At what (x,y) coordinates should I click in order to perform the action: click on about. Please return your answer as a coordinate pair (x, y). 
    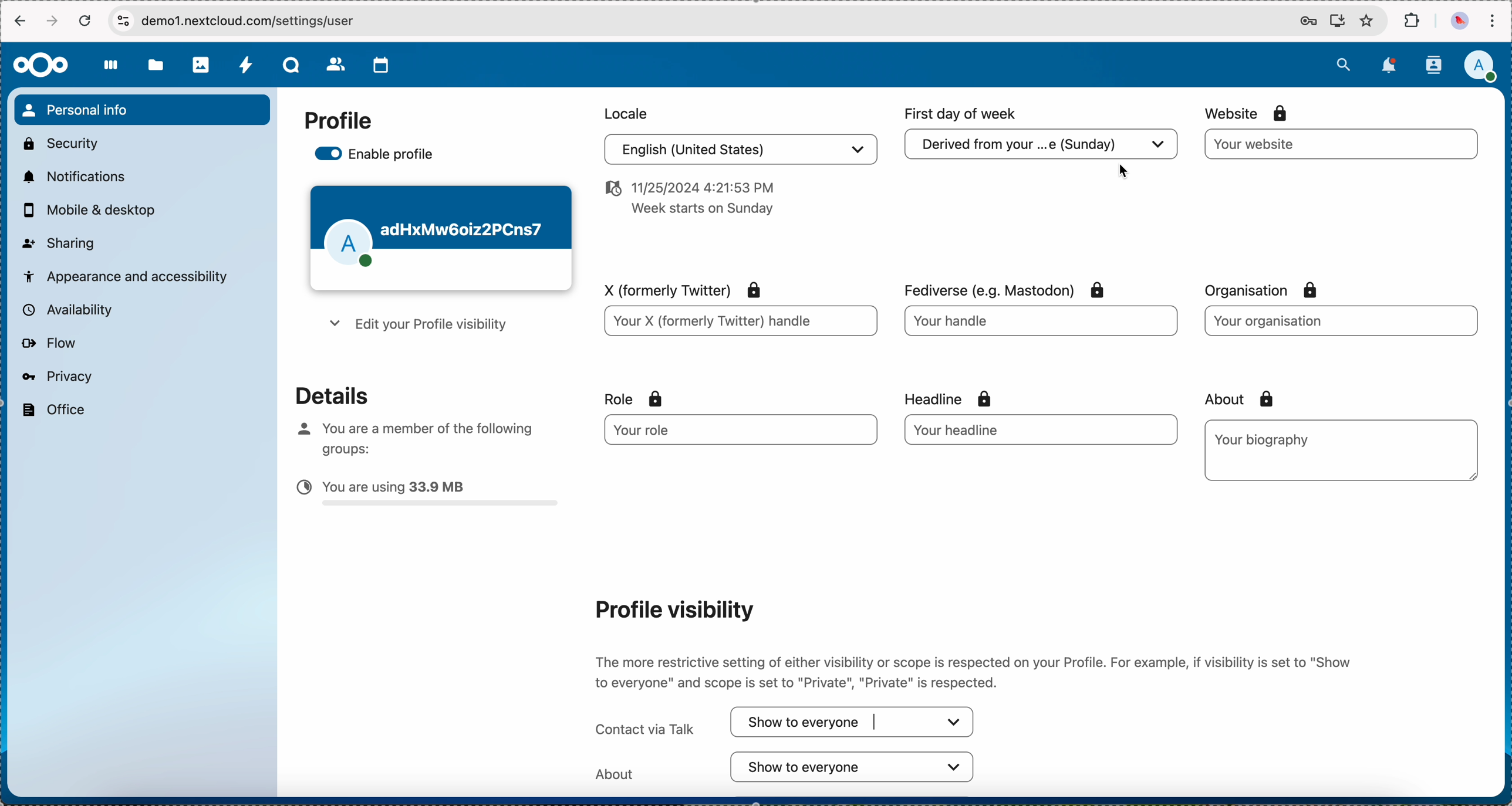
    Looking at the image, I should click on (786, 767).